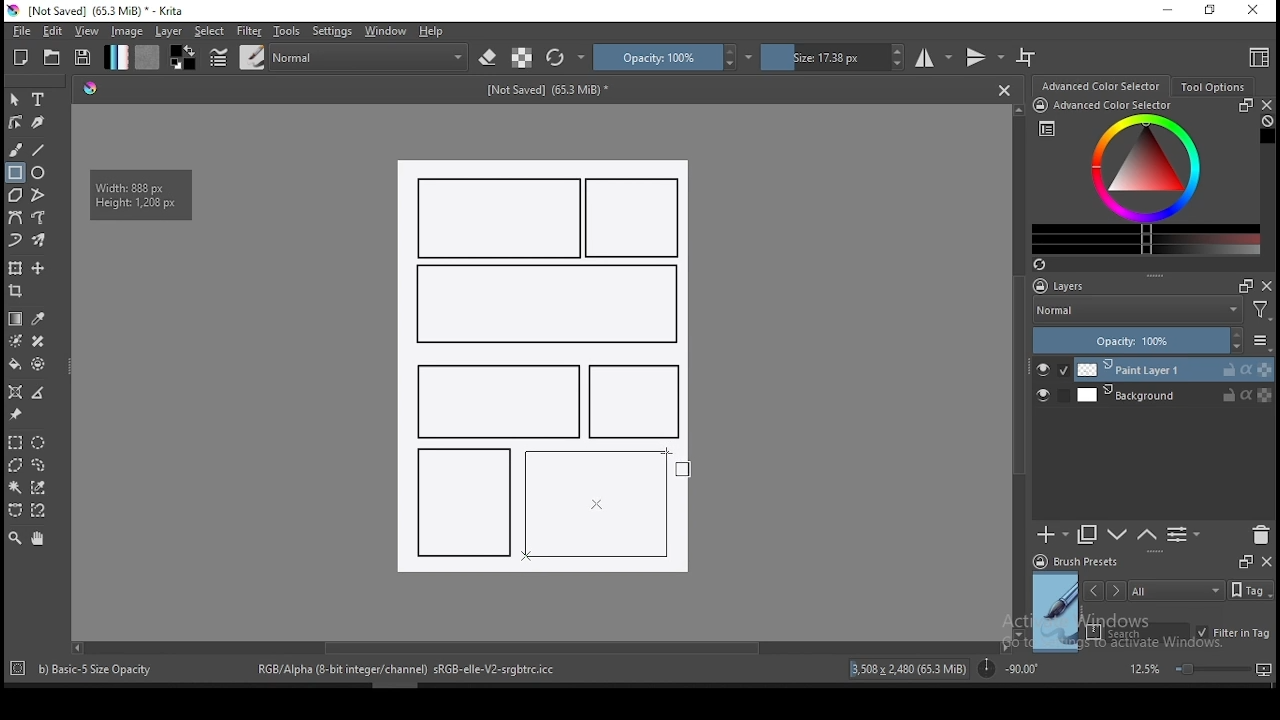 This screenshot has height=720, width=1280. I want to click on pick a color from image and current layer, so click(39, 319).